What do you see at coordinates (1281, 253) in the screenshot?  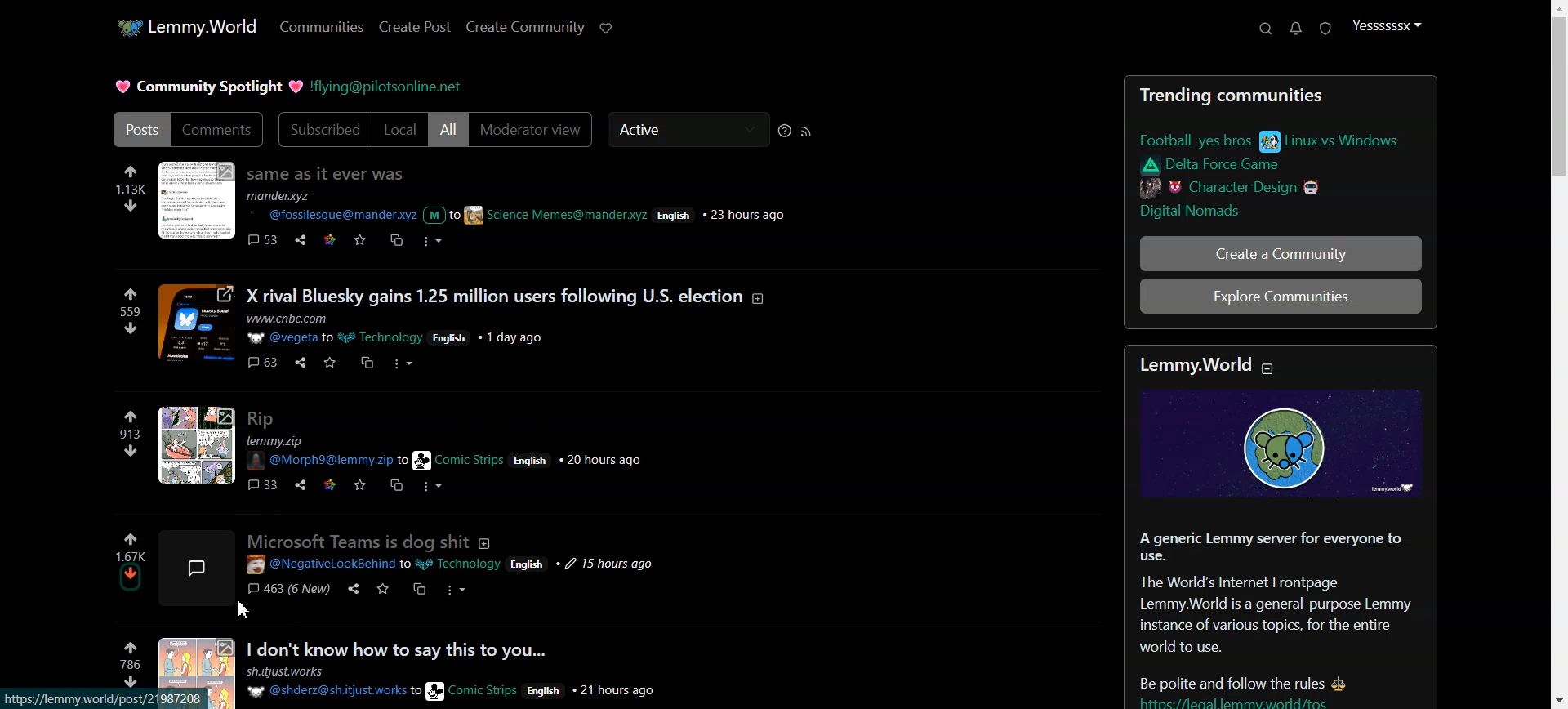 I see `Create a Community` at bounding box center [1281, 253].